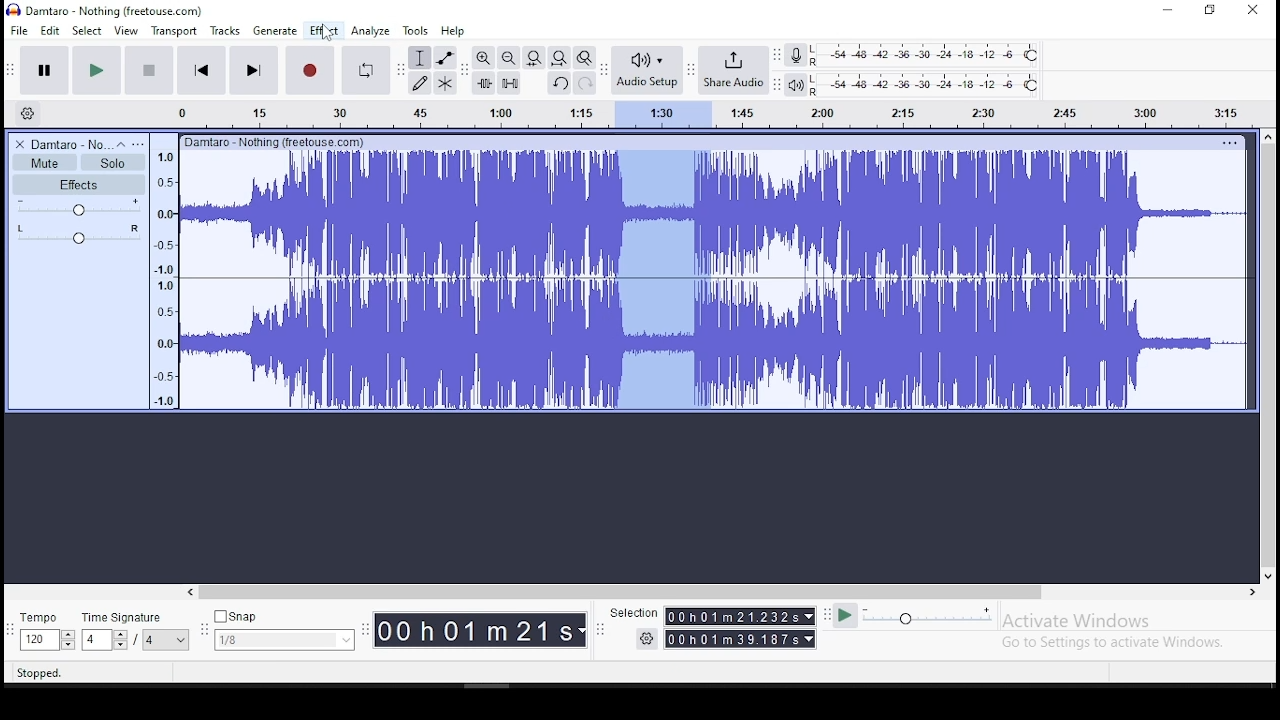 Image resolution: width=1280 pixels, height=720 pixels. What do you see at coordinates (323, 32) in the screenshot?
I see `effect` at bounding box center [323, 32].